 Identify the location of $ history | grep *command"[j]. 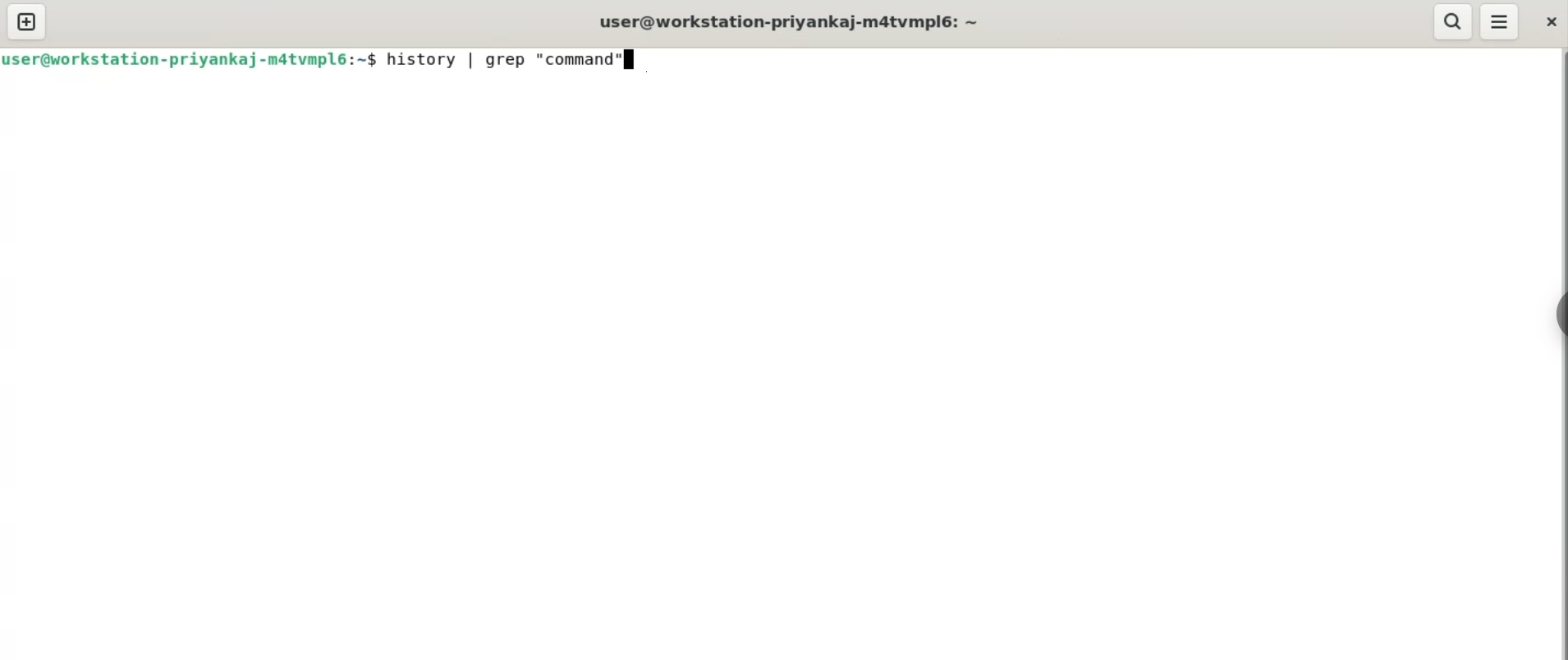
(502, 62).